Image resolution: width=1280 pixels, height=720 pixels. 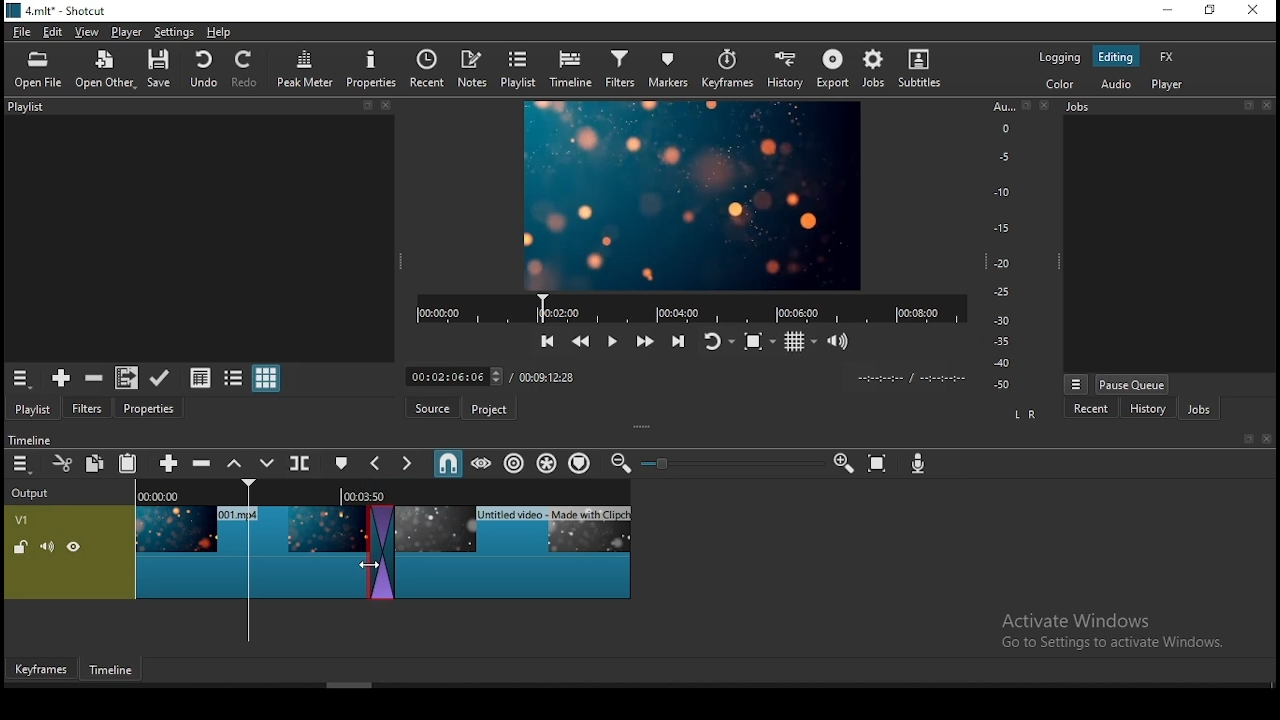 What do you see at coordinates (201, 376) in the screenshot?
I see `view as details` at bounding box center [201, 376].